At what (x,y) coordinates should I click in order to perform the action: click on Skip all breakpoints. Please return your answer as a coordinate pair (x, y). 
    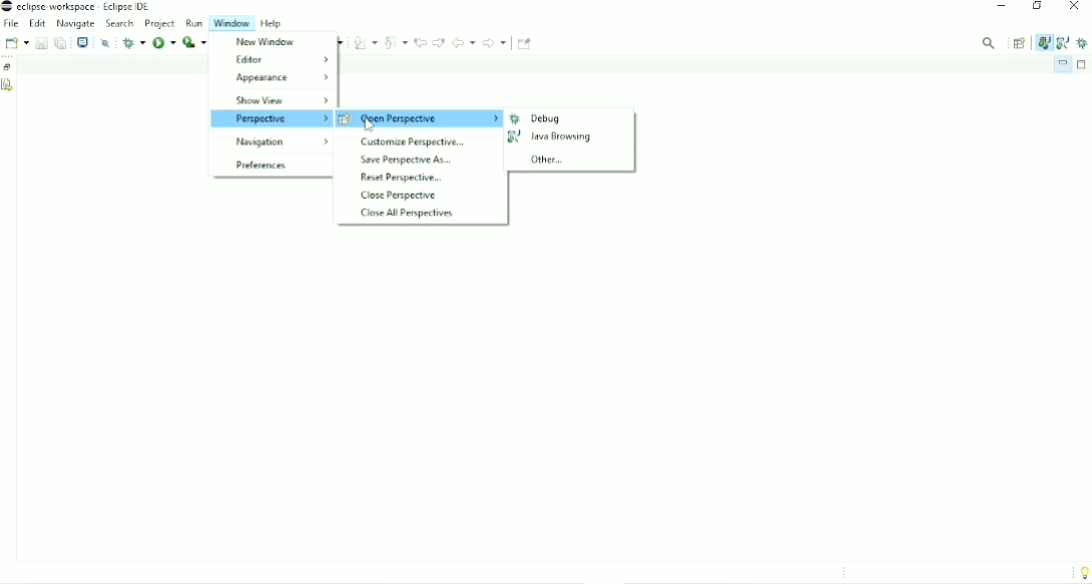
    Looking at the image, I should click on (105, 43).